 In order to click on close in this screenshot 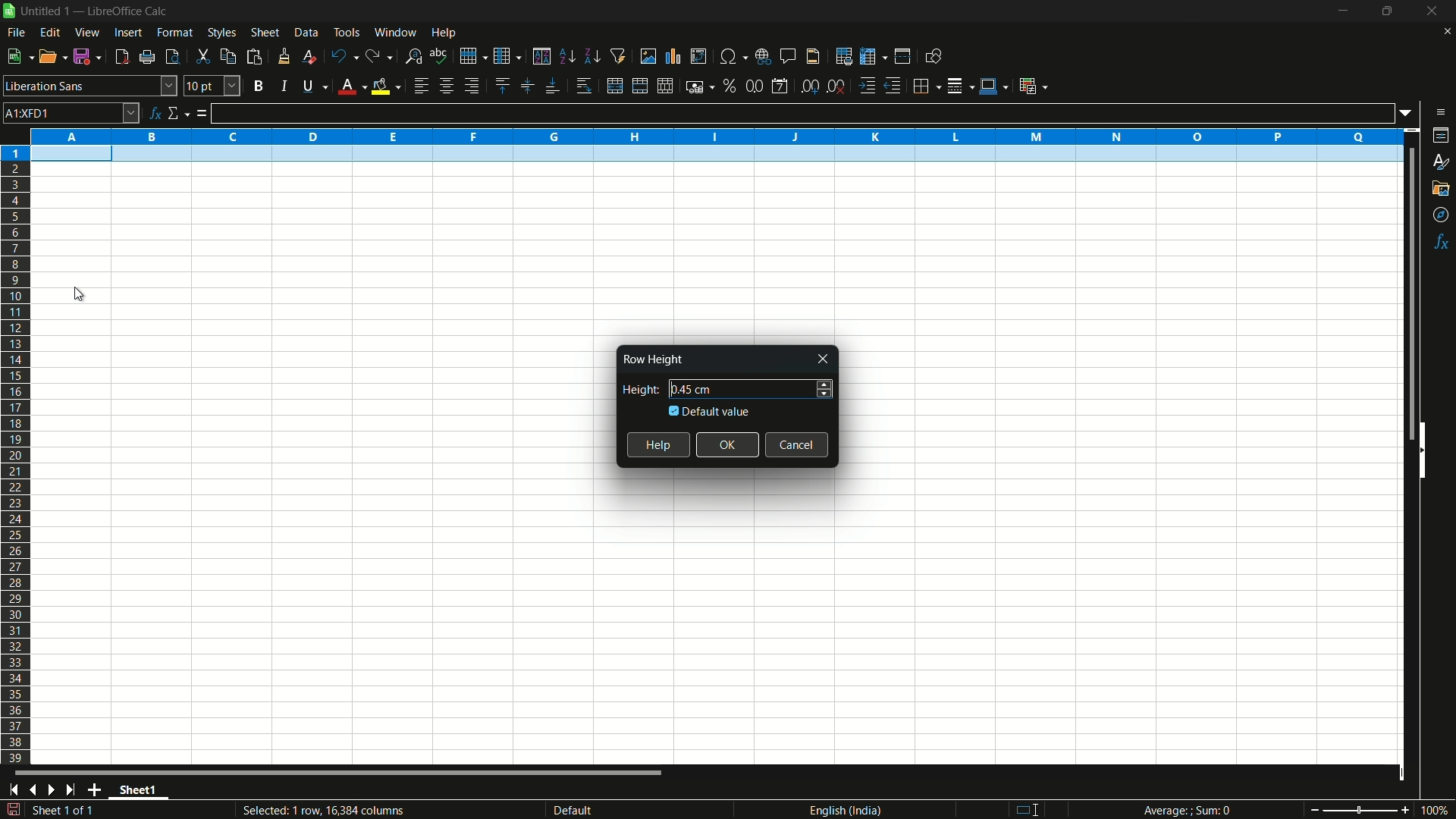, I will do `click(824, 359)`.